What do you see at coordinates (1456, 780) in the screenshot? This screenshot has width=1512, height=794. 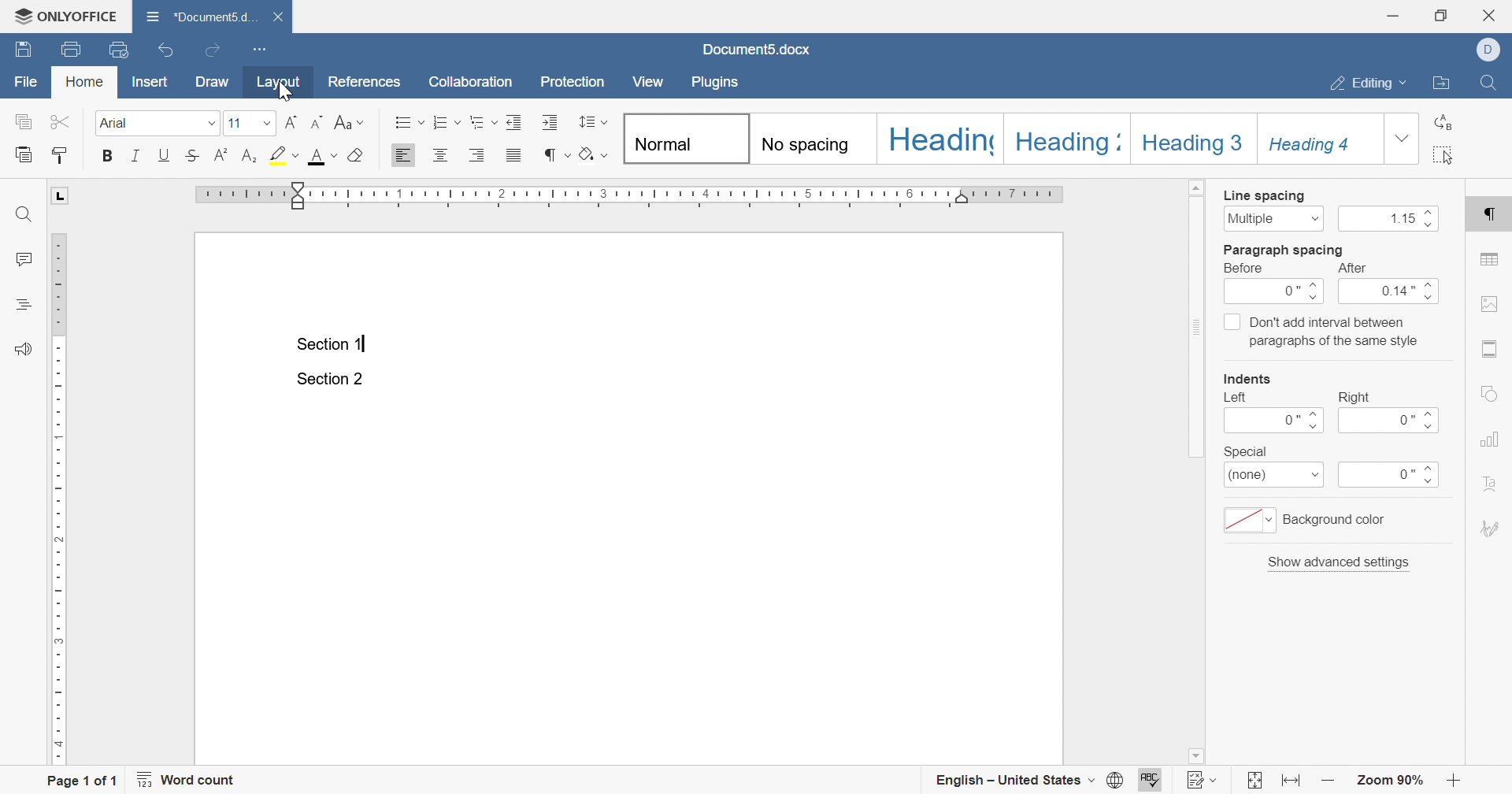 I see `zoom out` at bounding box center [1456, 780].